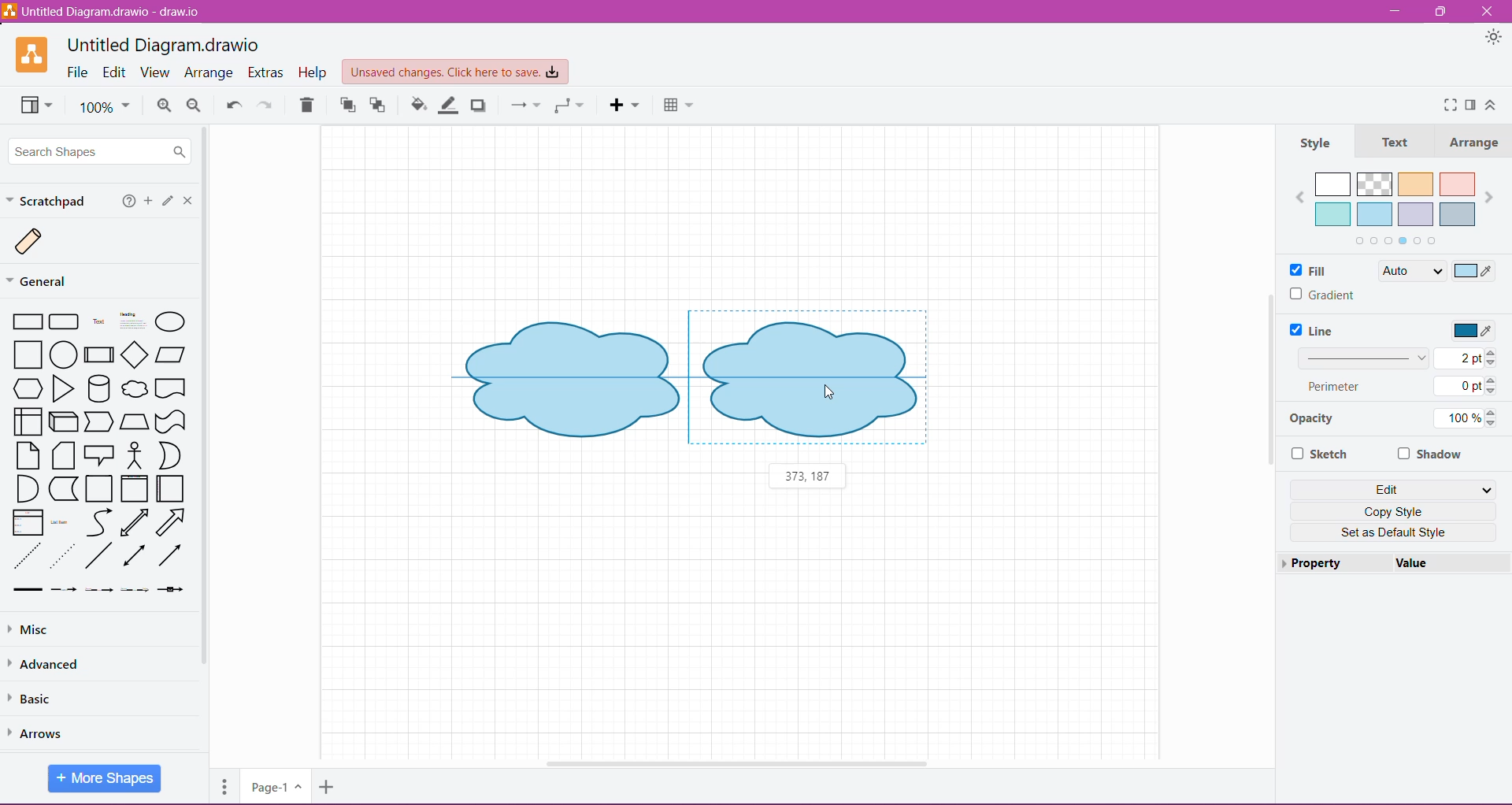 Image resolution: width=1512 pixels, height=805 pixels. Describe the element at coordinates (208, 440) in the screenshot. I see `Vertical Scroll Bar` at that location.